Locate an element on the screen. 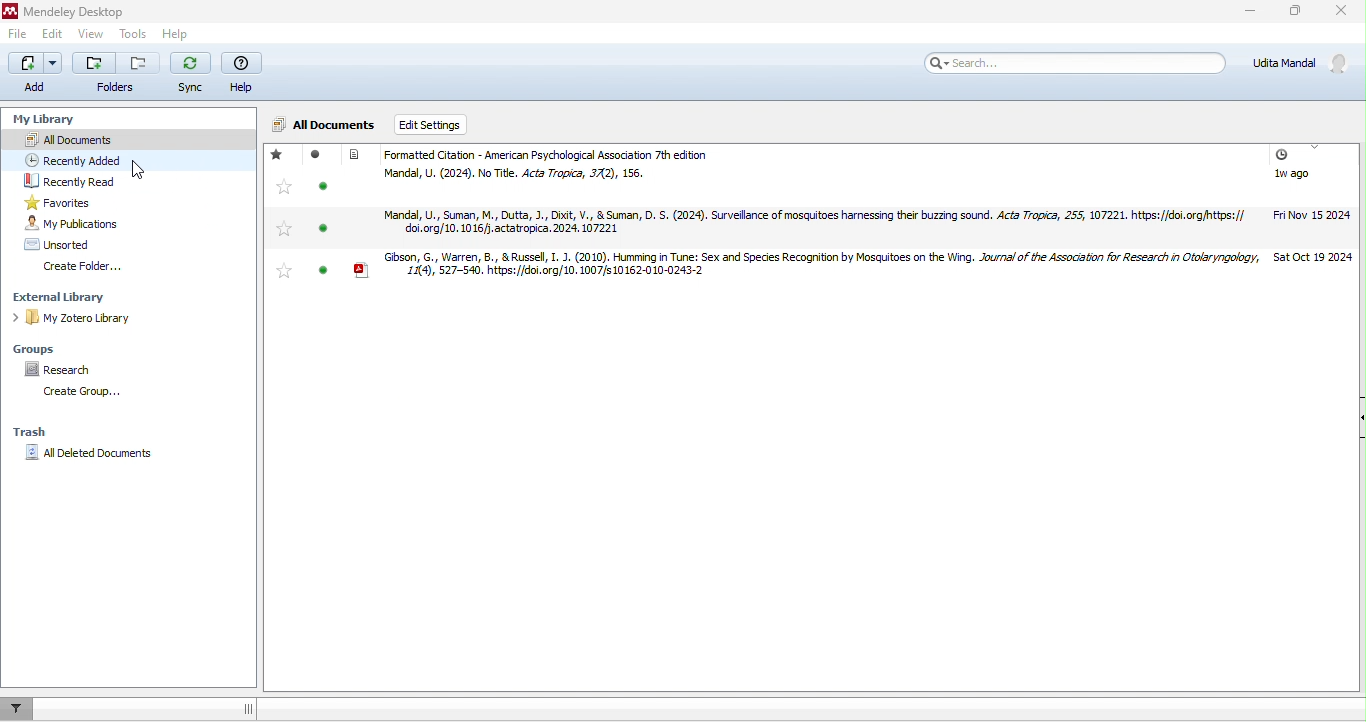 The height and width of the screenshot is (722, 1366). mendeley logo is located at coordinates (11, 11).